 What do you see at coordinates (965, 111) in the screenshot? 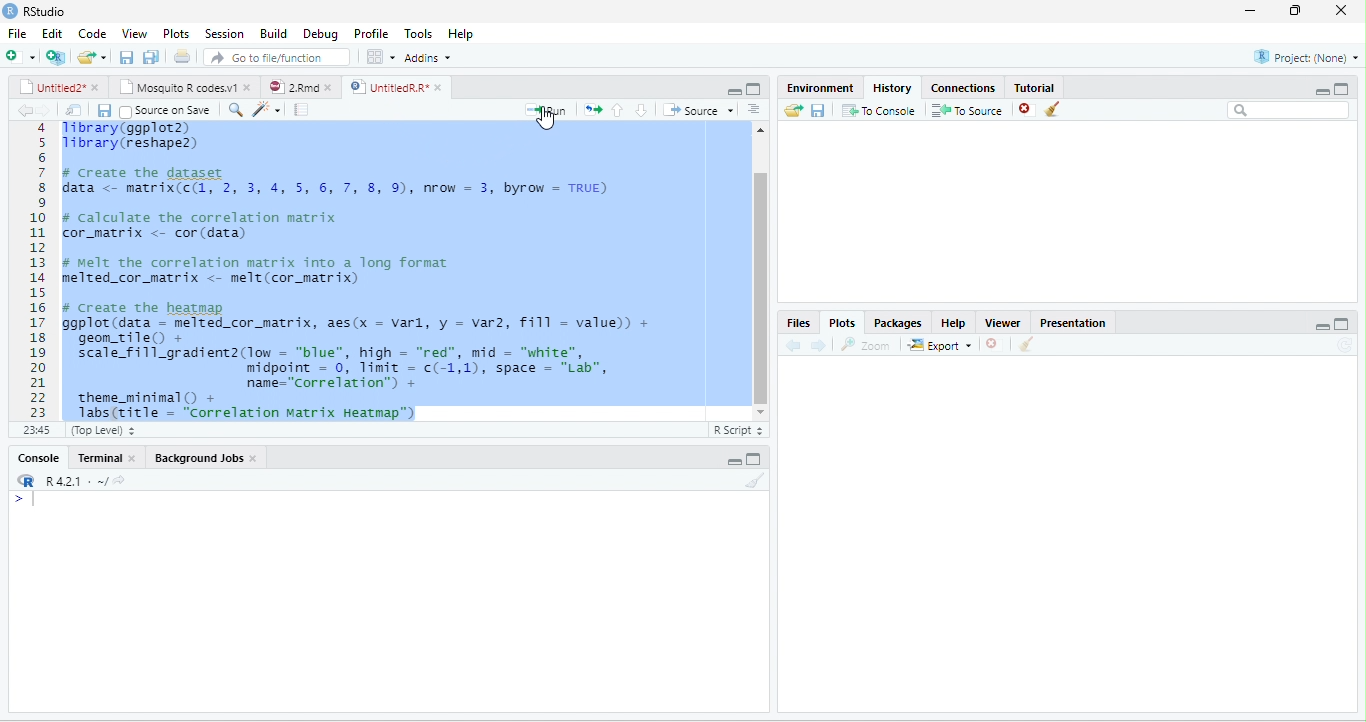
I see `to source` at bounding box center [965, 111].